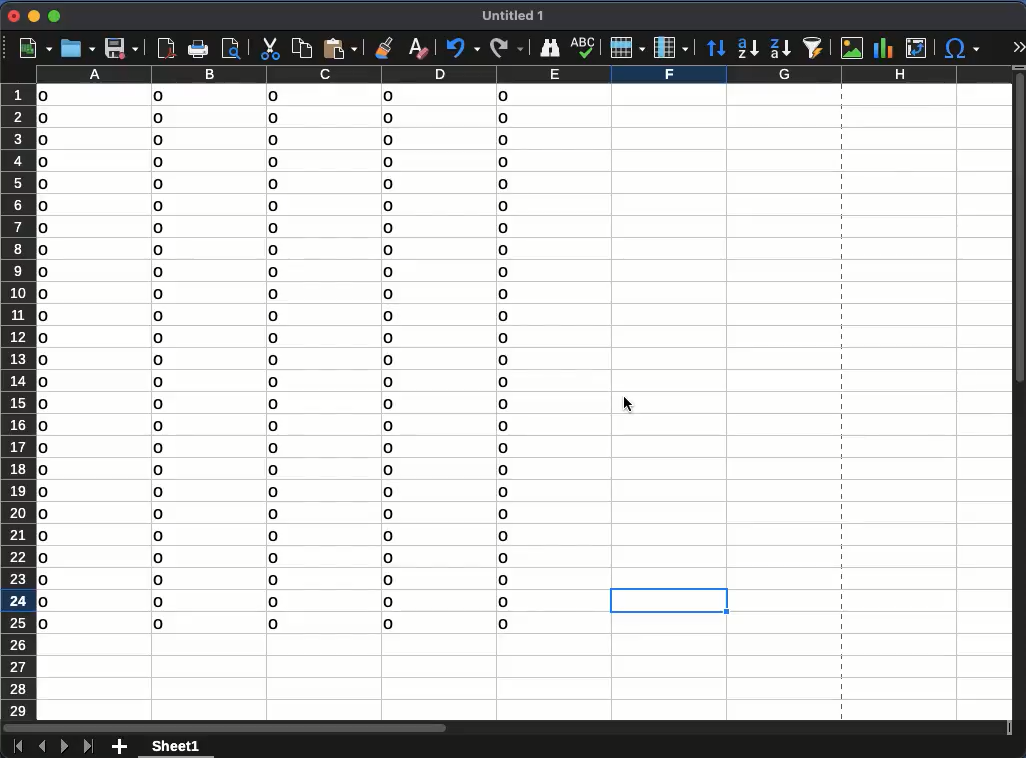 This screenshot has width=1026, height=758. Describe the element at coordinates (269, 49) in the screenshot. I see `cut` at that location.